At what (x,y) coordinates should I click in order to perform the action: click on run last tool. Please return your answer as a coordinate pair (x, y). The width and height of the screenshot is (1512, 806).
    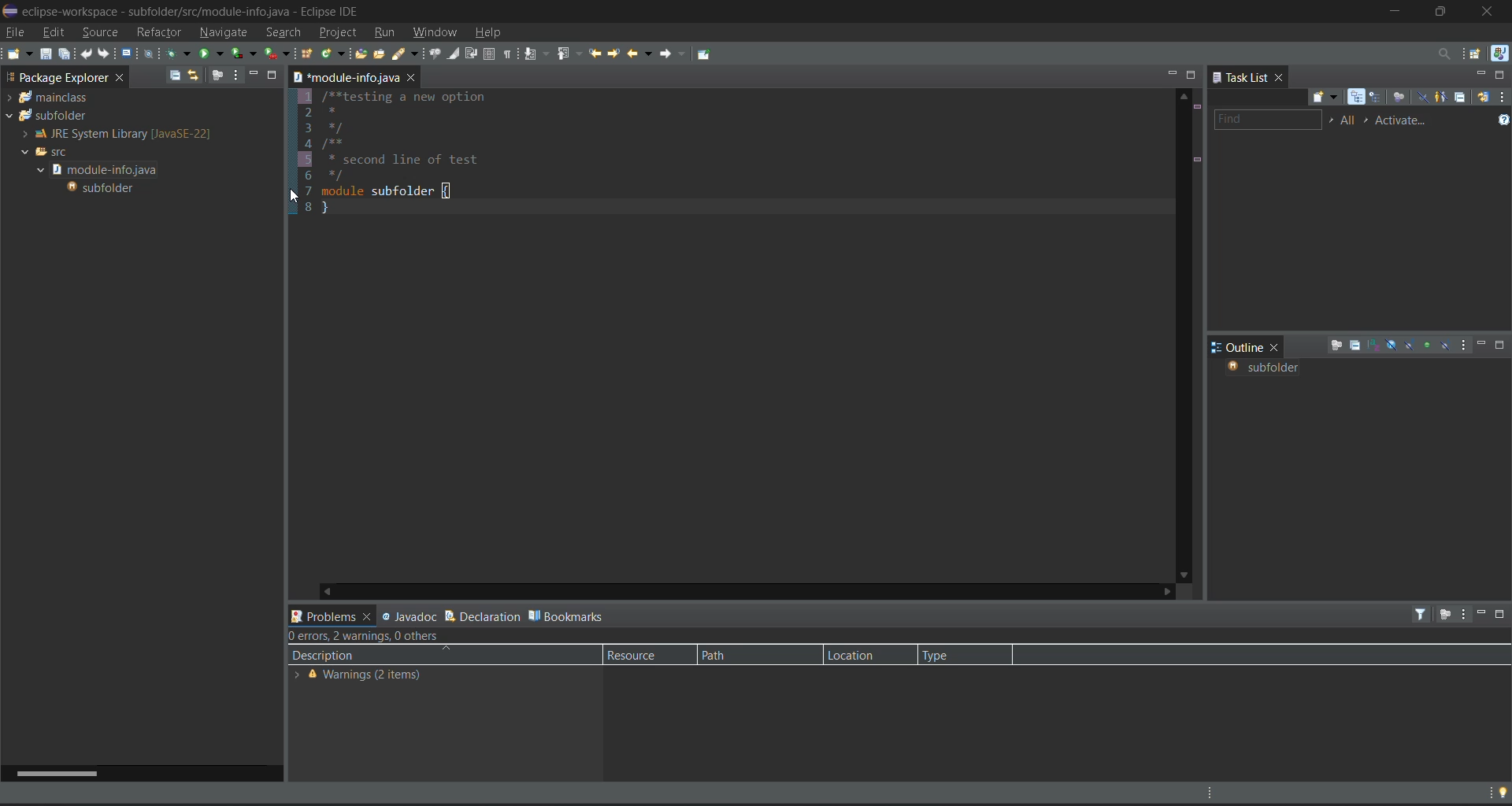
    Looking at the image, I should click on (279, 54).